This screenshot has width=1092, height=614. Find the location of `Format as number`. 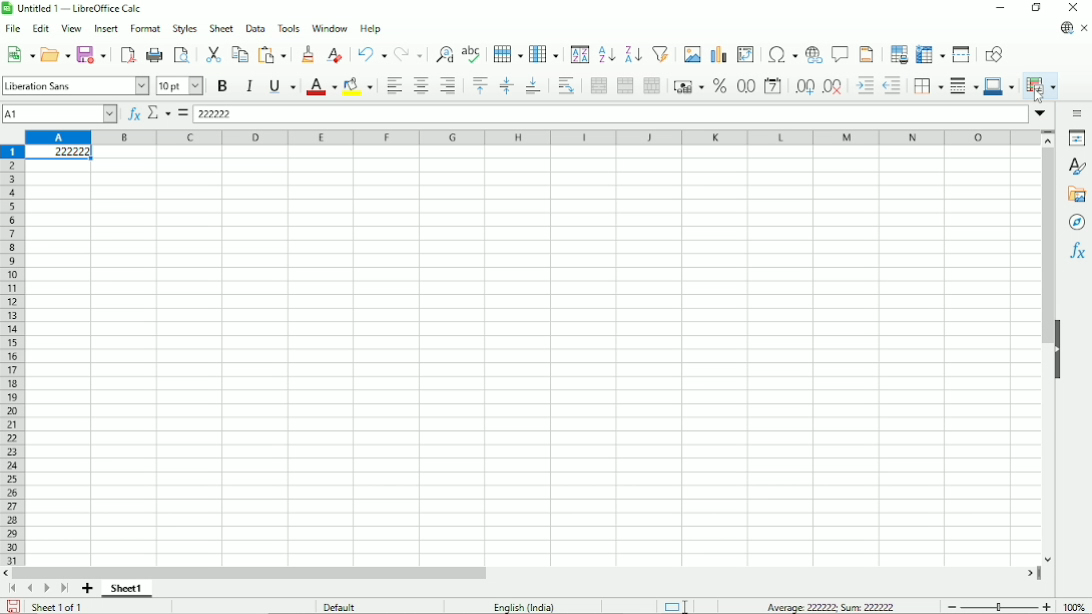

Format as number is located at coordinates (745, 87).